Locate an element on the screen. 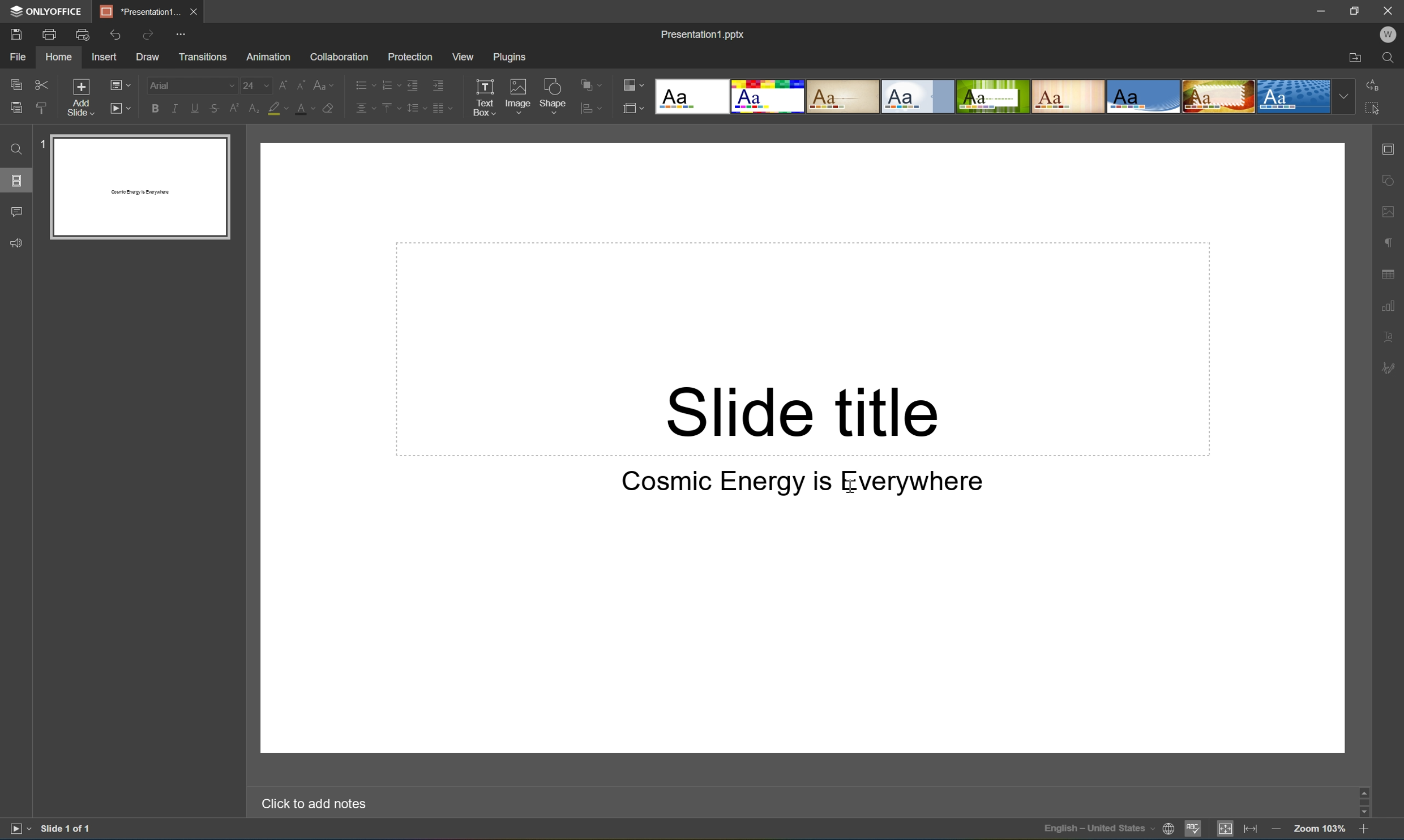 The image size is (1404, 840). Highlight color is located at coordinates (279, 108).